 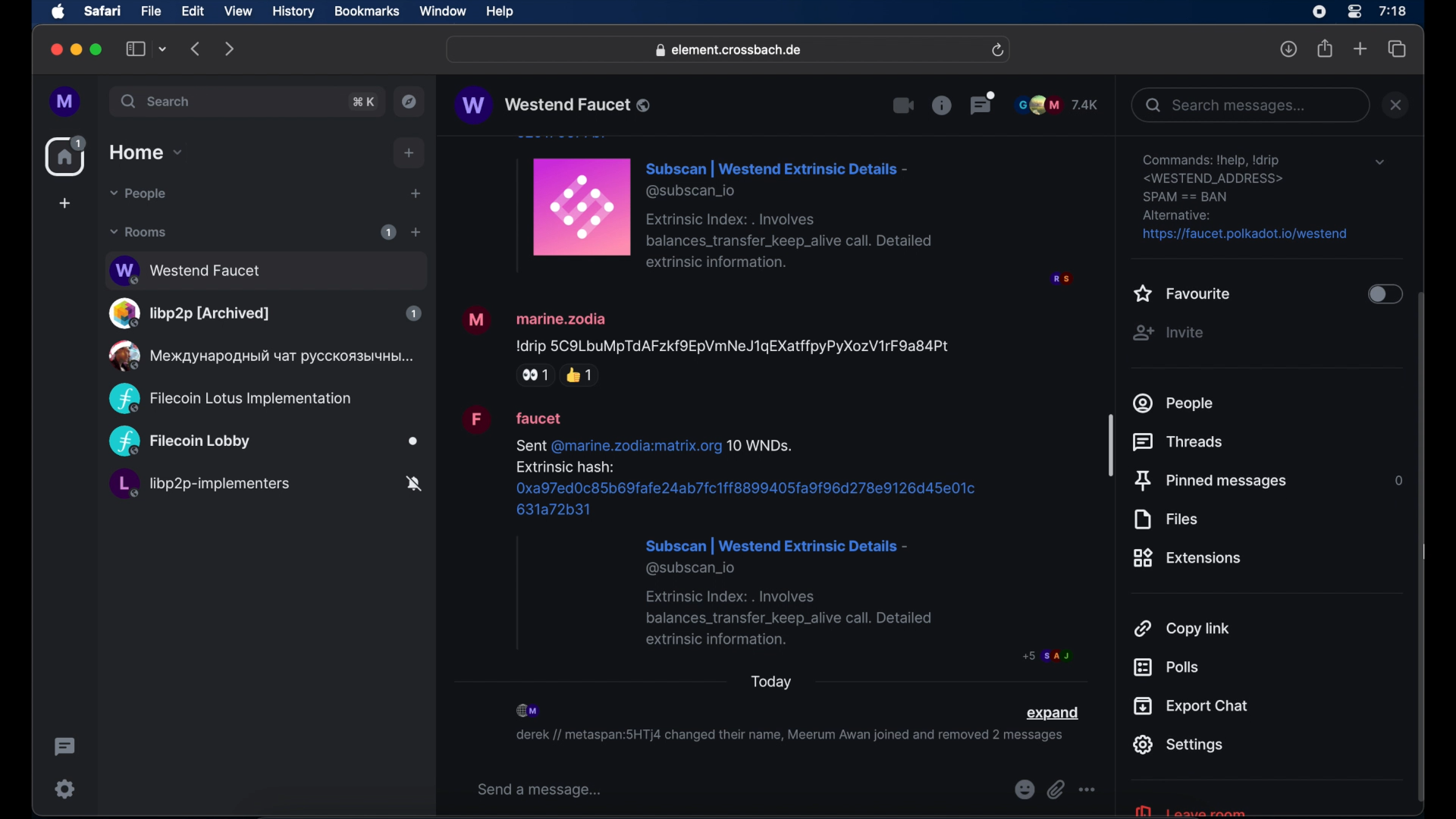 What do you see at coordinates (1166, 667) in the screenshot?
I see `polls` at bounding box center [1166, 667].